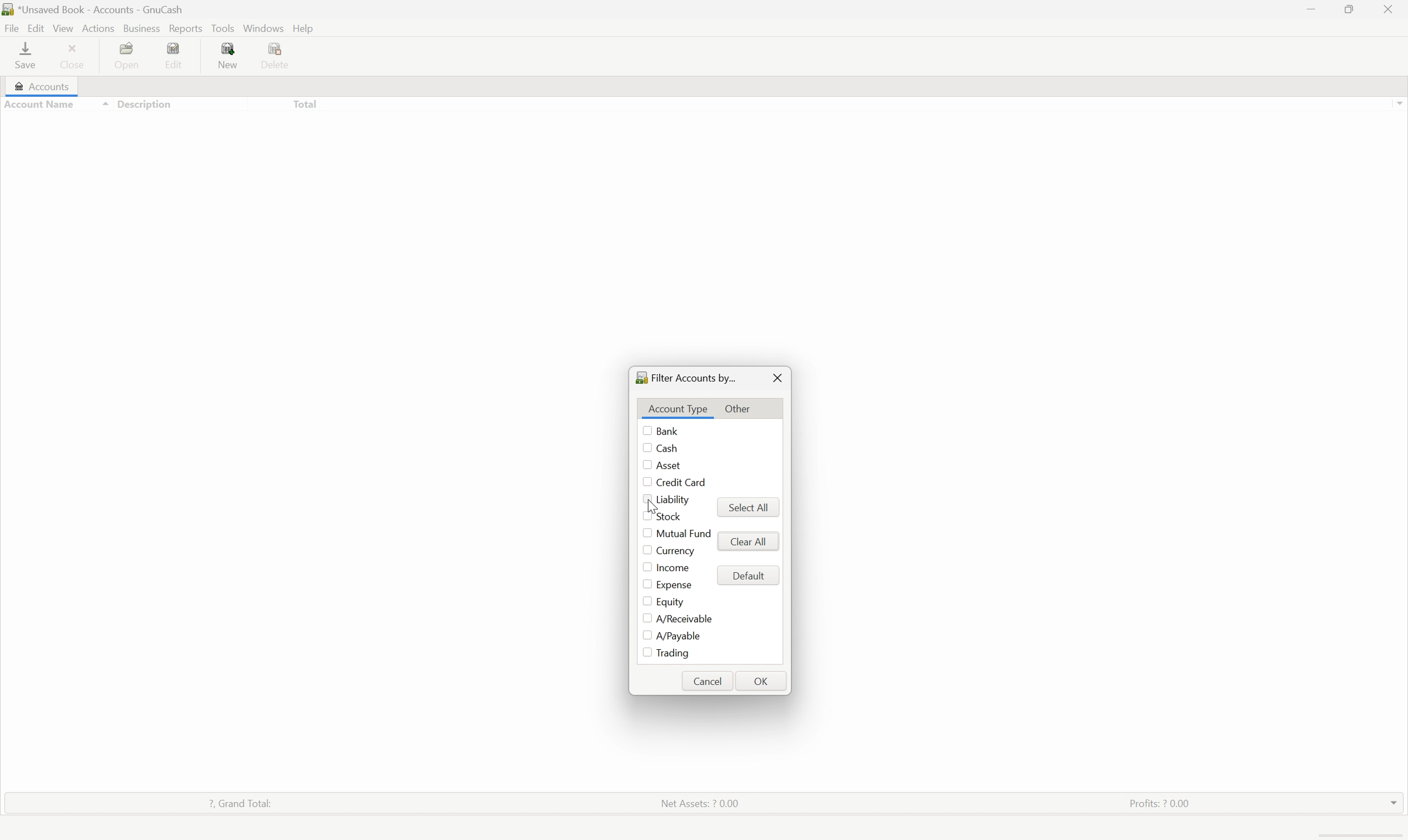  Describe the element at coordinates (35, 27) in the screenshot. I see `Edit` at that location.